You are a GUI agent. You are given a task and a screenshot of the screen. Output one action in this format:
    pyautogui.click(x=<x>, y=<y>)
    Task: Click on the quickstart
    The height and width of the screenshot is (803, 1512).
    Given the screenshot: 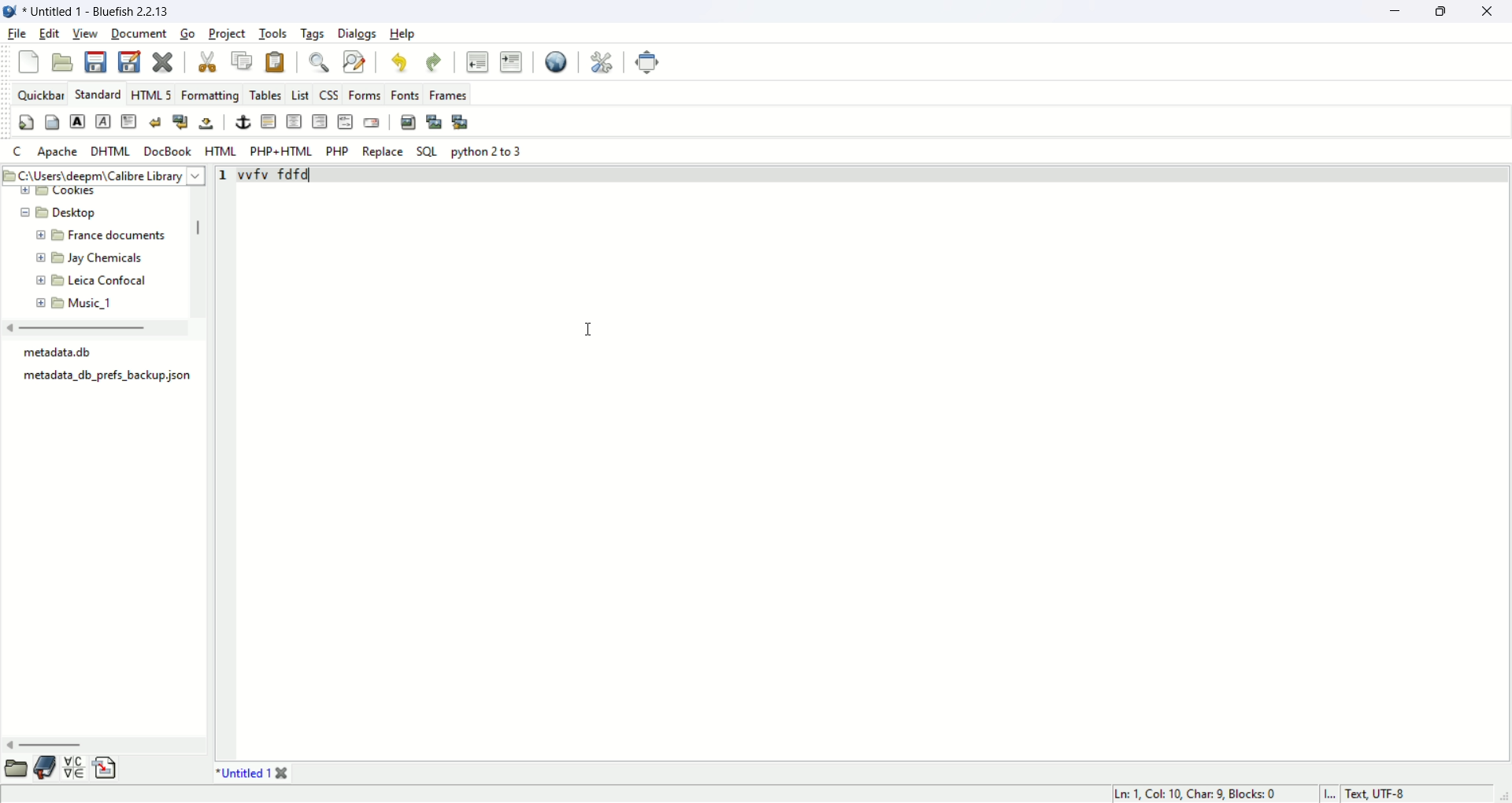 What is the action you would take?
    pyautogui.click(x=23, y=121)
    